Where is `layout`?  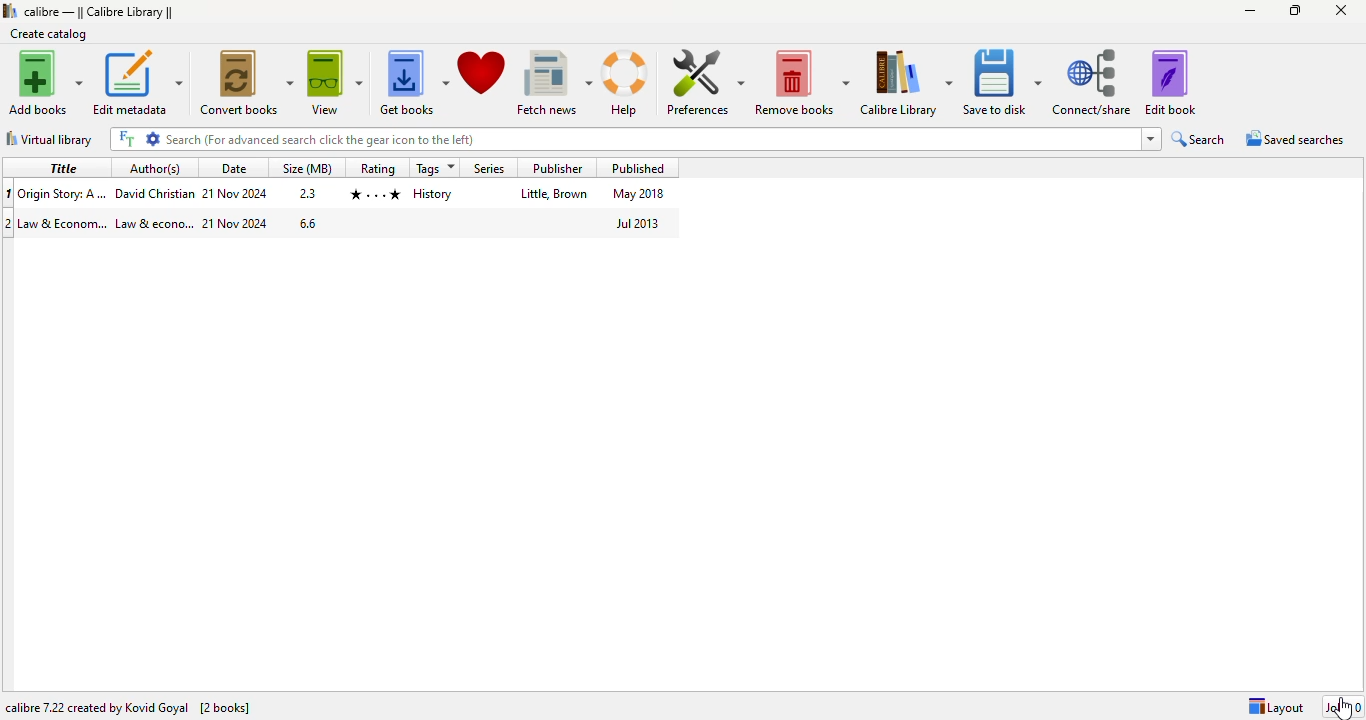 layout is located at coordinates (1276, 707).